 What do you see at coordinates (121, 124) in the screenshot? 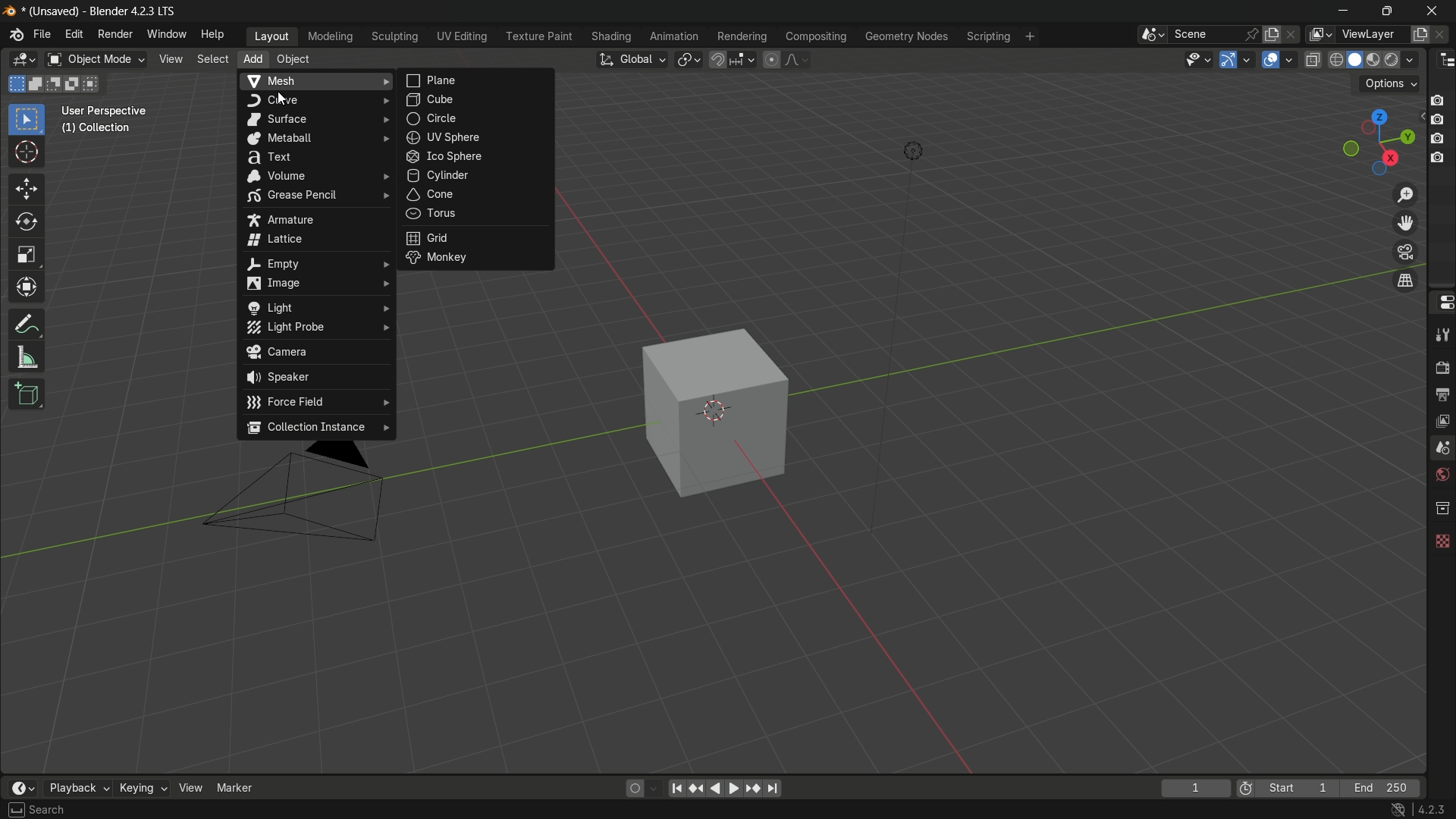
I see `user perspective (1) | collection` at bounding box center [121, 124].